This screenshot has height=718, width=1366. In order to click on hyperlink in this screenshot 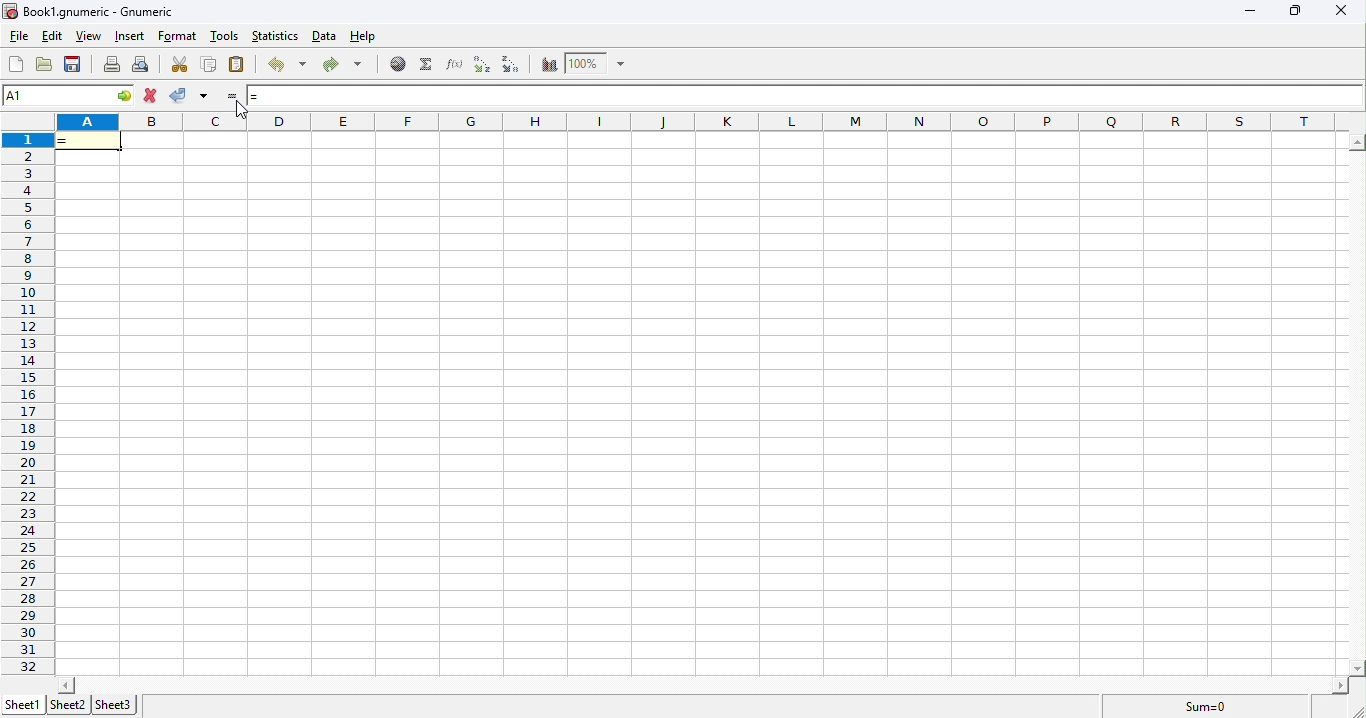, I will do `click(396, 65)`.